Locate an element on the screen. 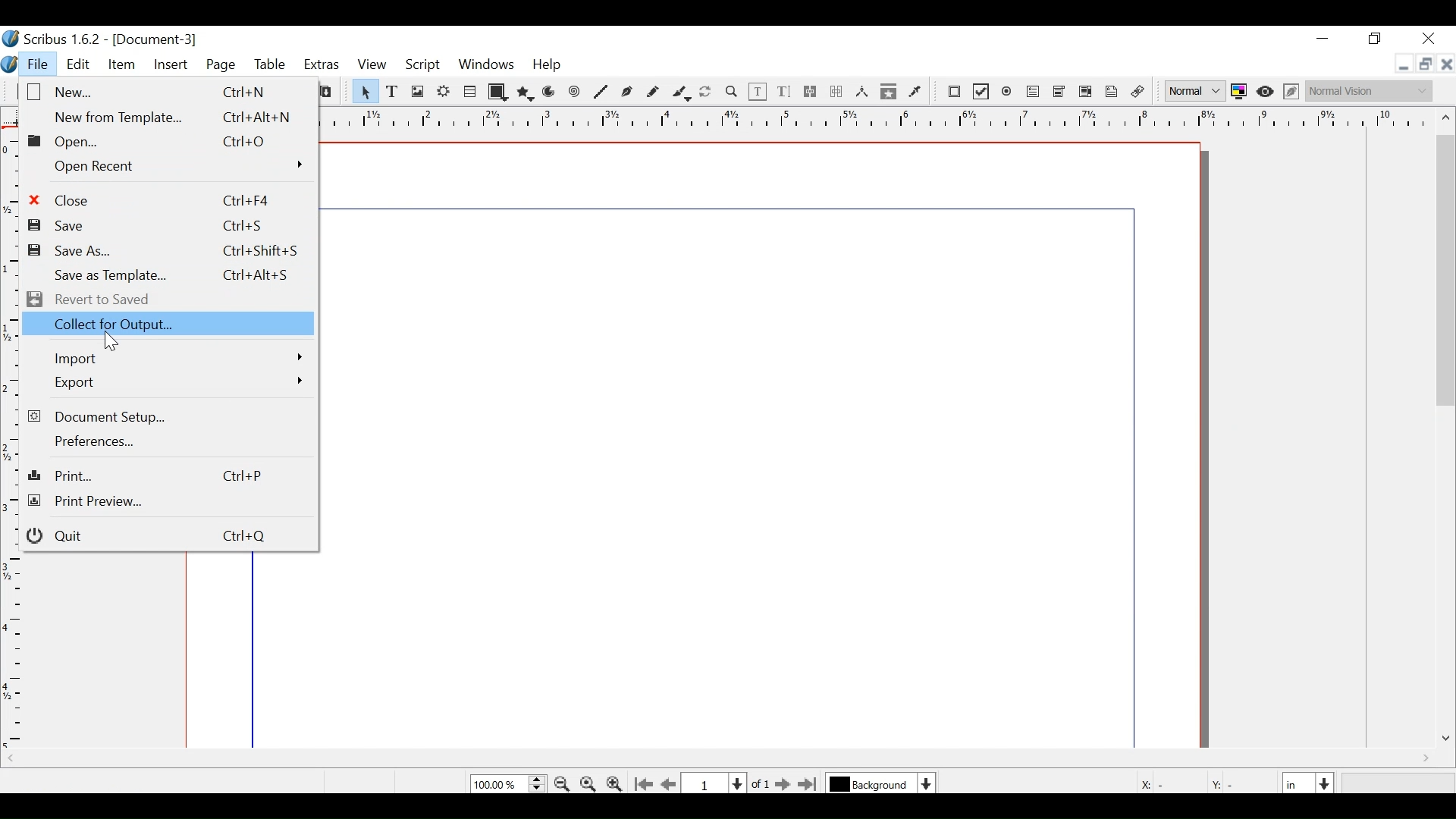 This screenshot has height=819, width=1456. Vertical Scroll bar is located at coordinates (1447, 269).